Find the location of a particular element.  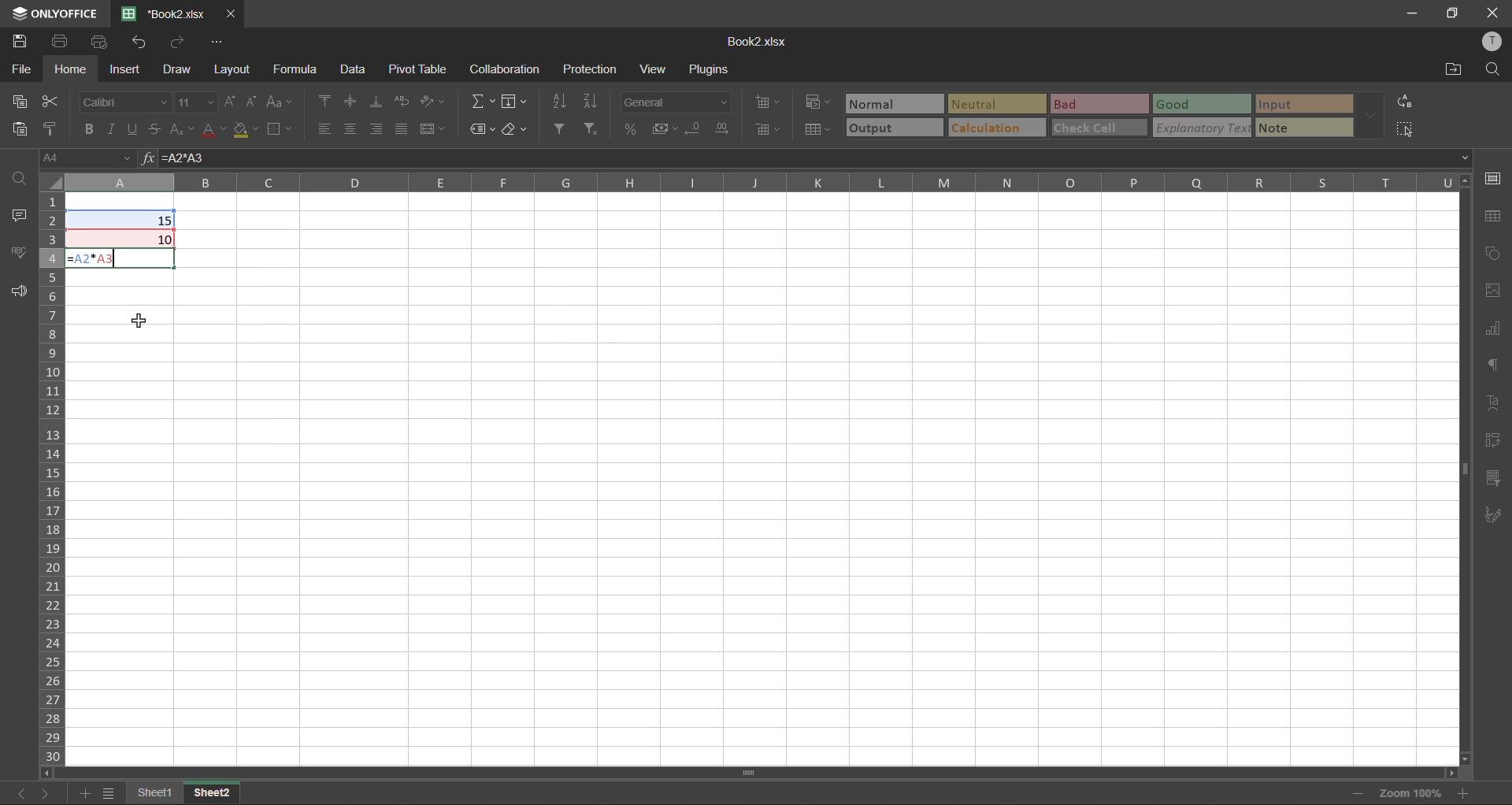

bad is located at coordinates (1099, 104).